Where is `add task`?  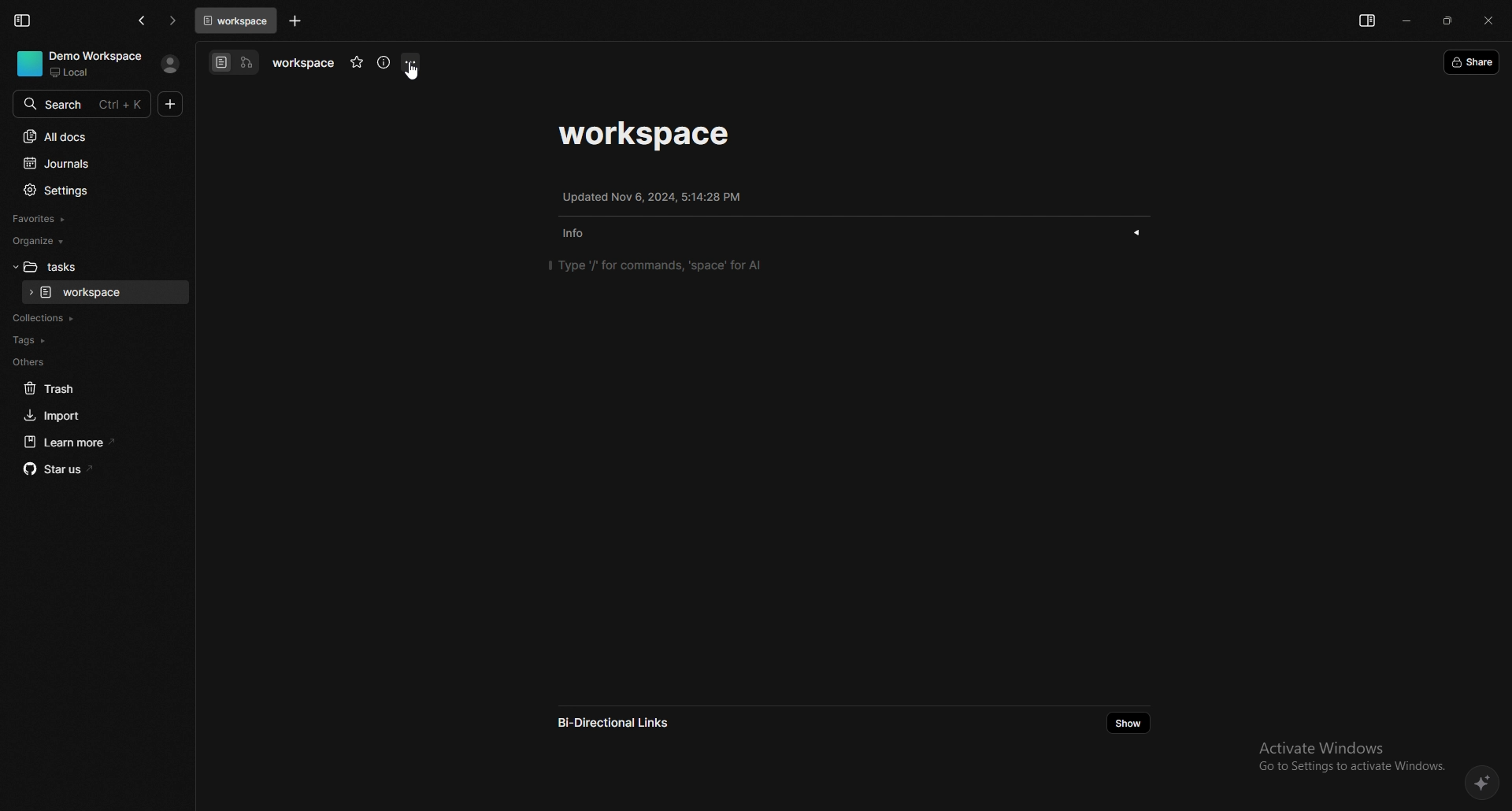 add task is located at coordinates (295, 21).